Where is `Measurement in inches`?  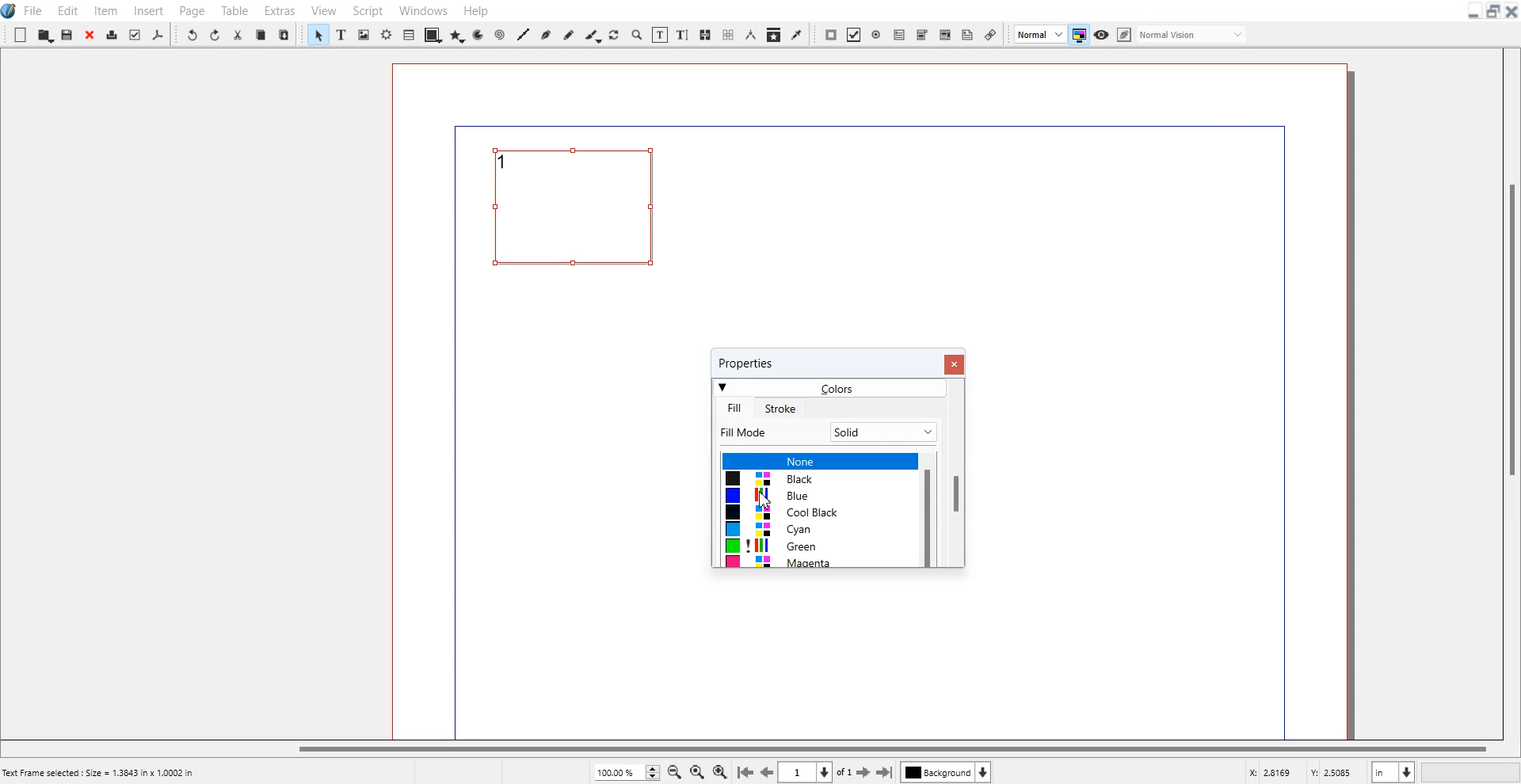
Measurement in inches is located at coordinates (1393, 771).